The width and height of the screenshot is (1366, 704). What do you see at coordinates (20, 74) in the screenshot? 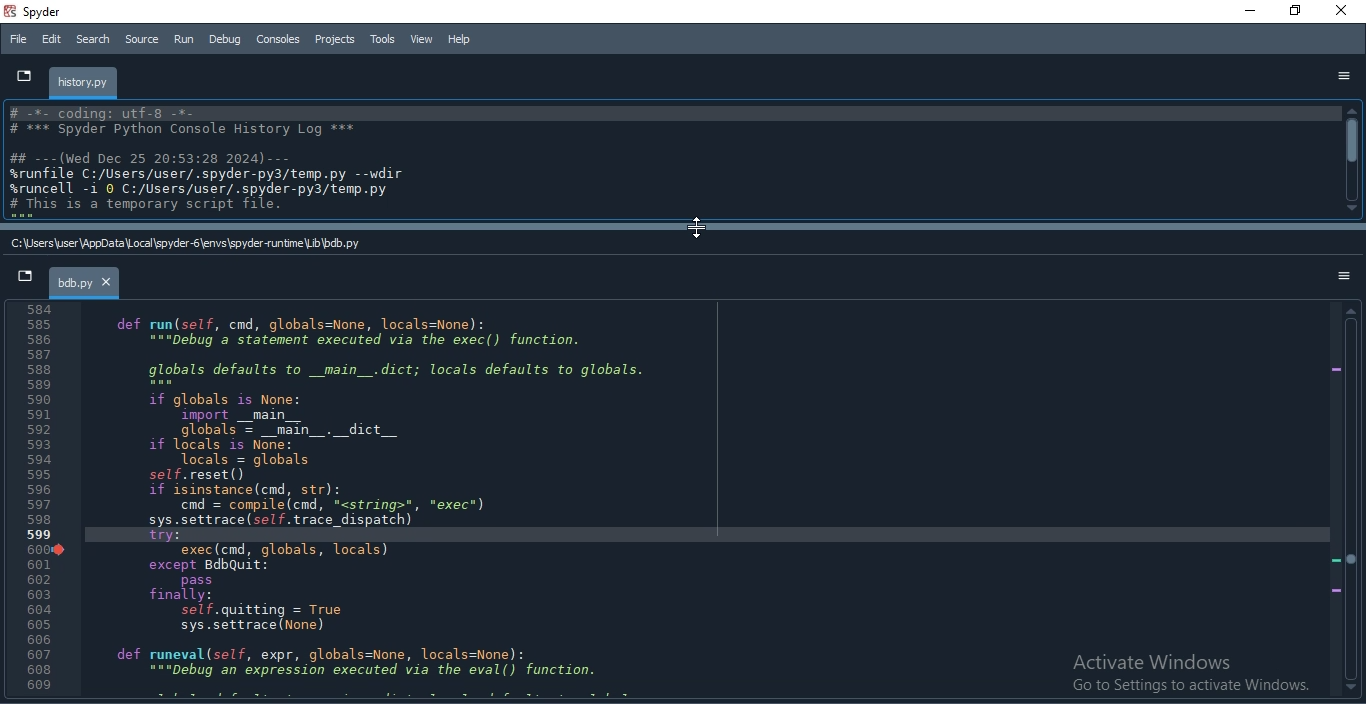
I see `dropdown` at bounding box center [20, 74].